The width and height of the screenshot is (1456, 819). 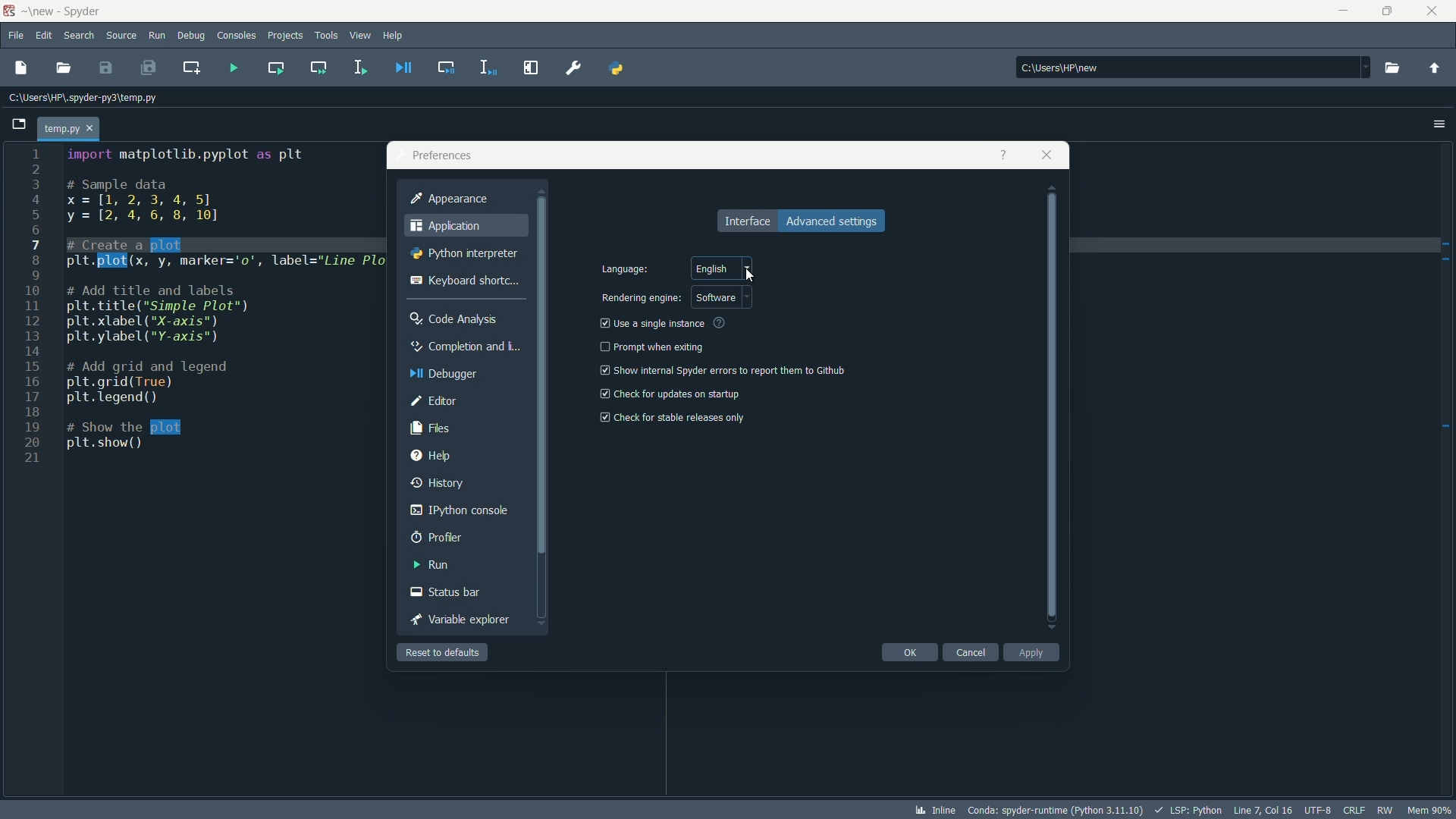 I want to click on minimize, so click(x=1344, y=11).